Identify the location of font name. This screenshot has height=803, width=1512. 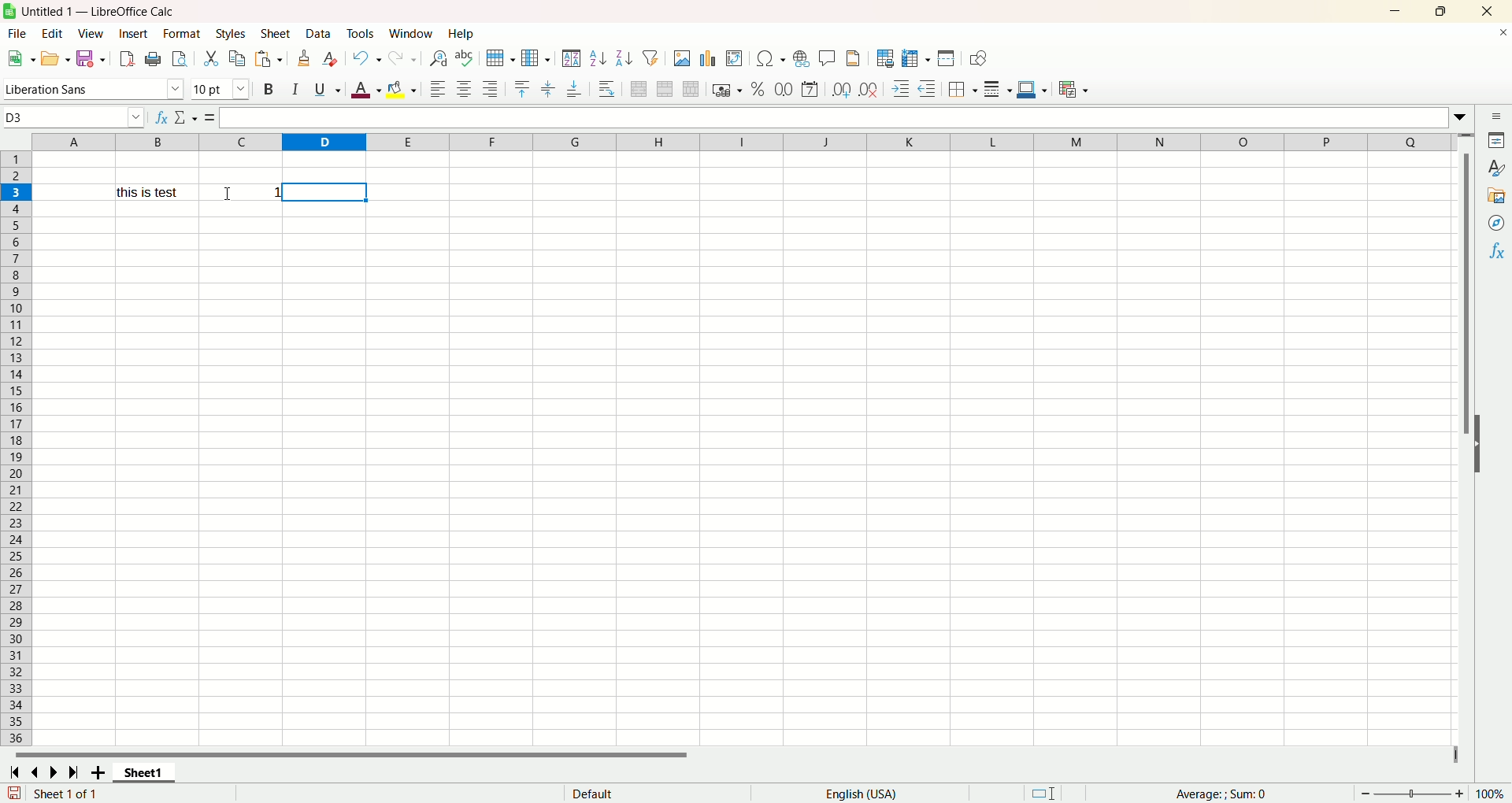
(94, 87).